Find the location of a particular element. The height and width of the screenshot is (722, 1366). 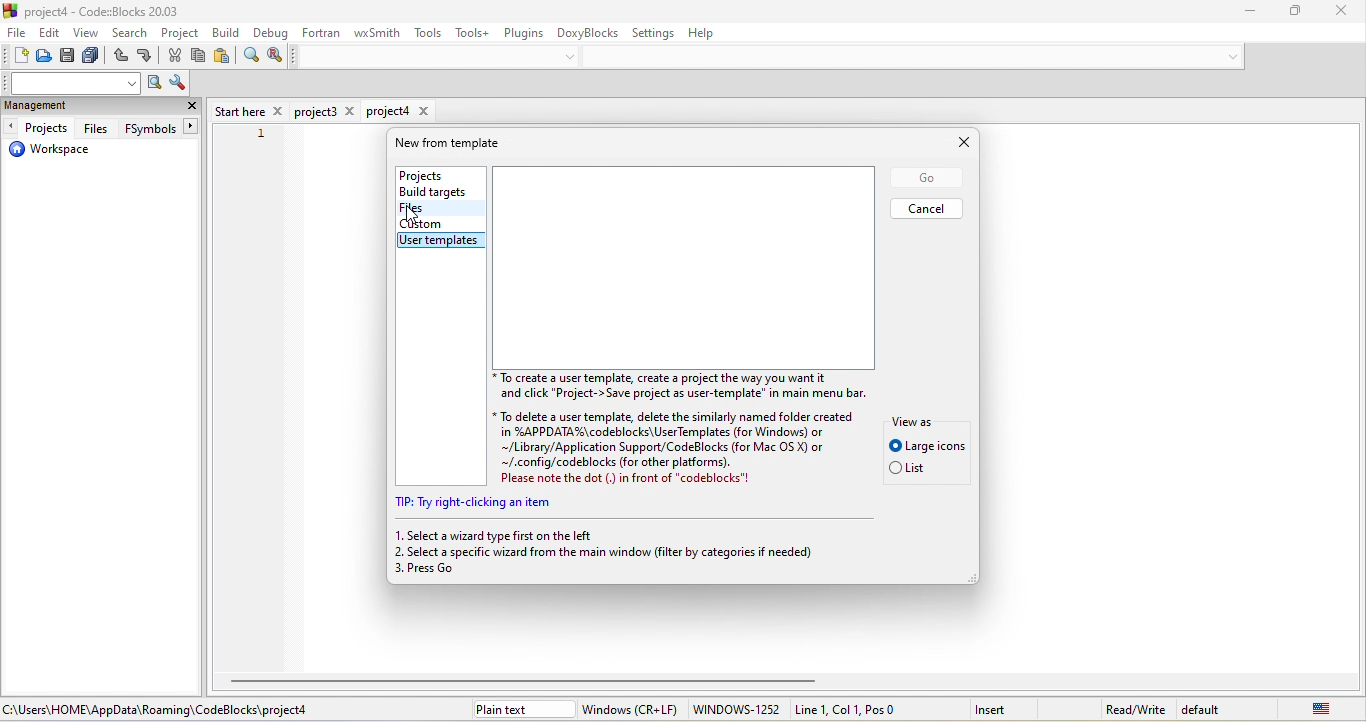

project4 is located at coordinates (399, 111).